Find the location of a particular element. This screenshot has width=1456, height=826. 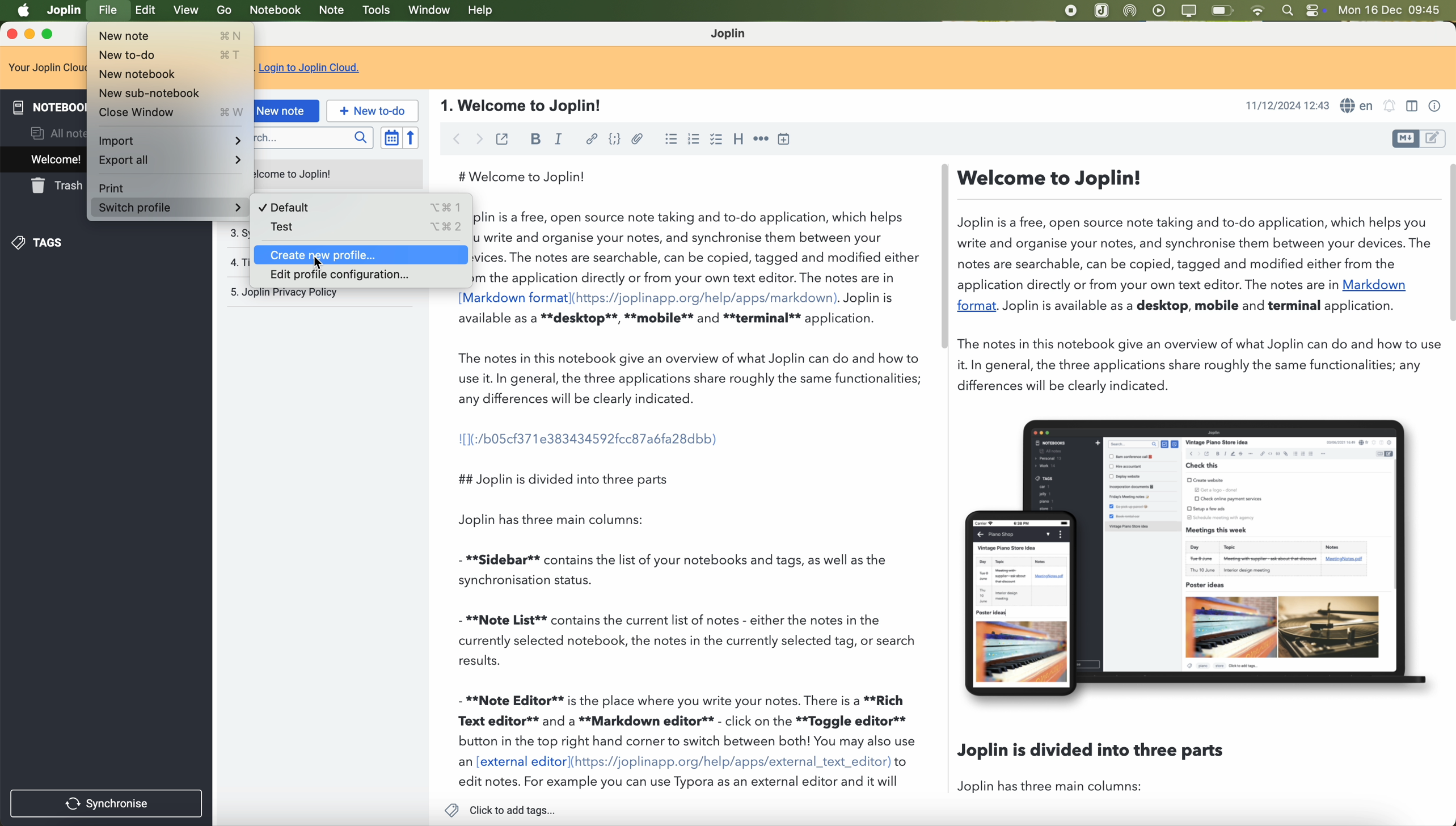

tags is located at coordinates (47, 243).